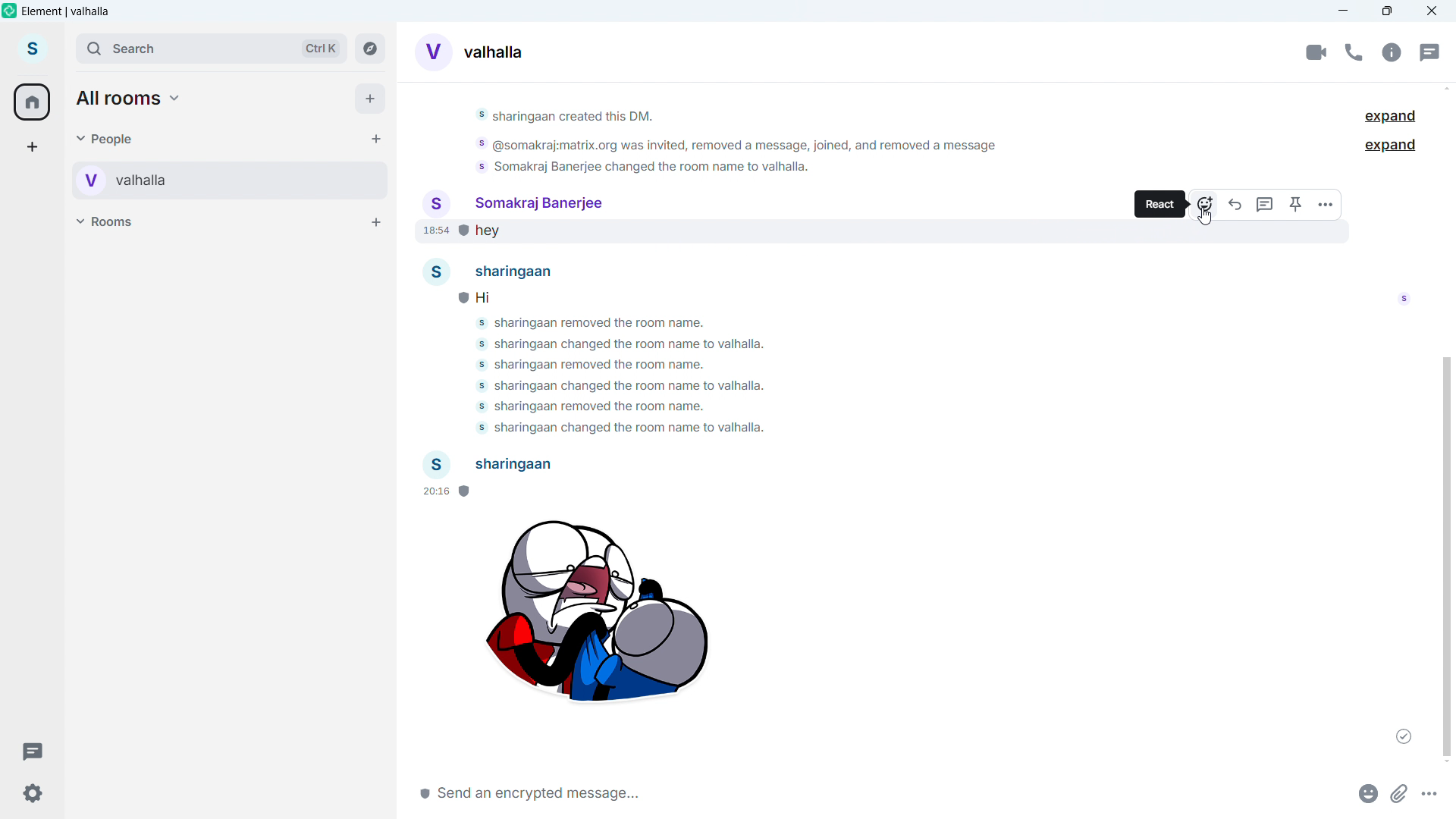 The image size is (1456, 819). What do you see at coordinates (431, 233) in the screenshot?
I see `time of sending message` at bounding box center [431, 233].